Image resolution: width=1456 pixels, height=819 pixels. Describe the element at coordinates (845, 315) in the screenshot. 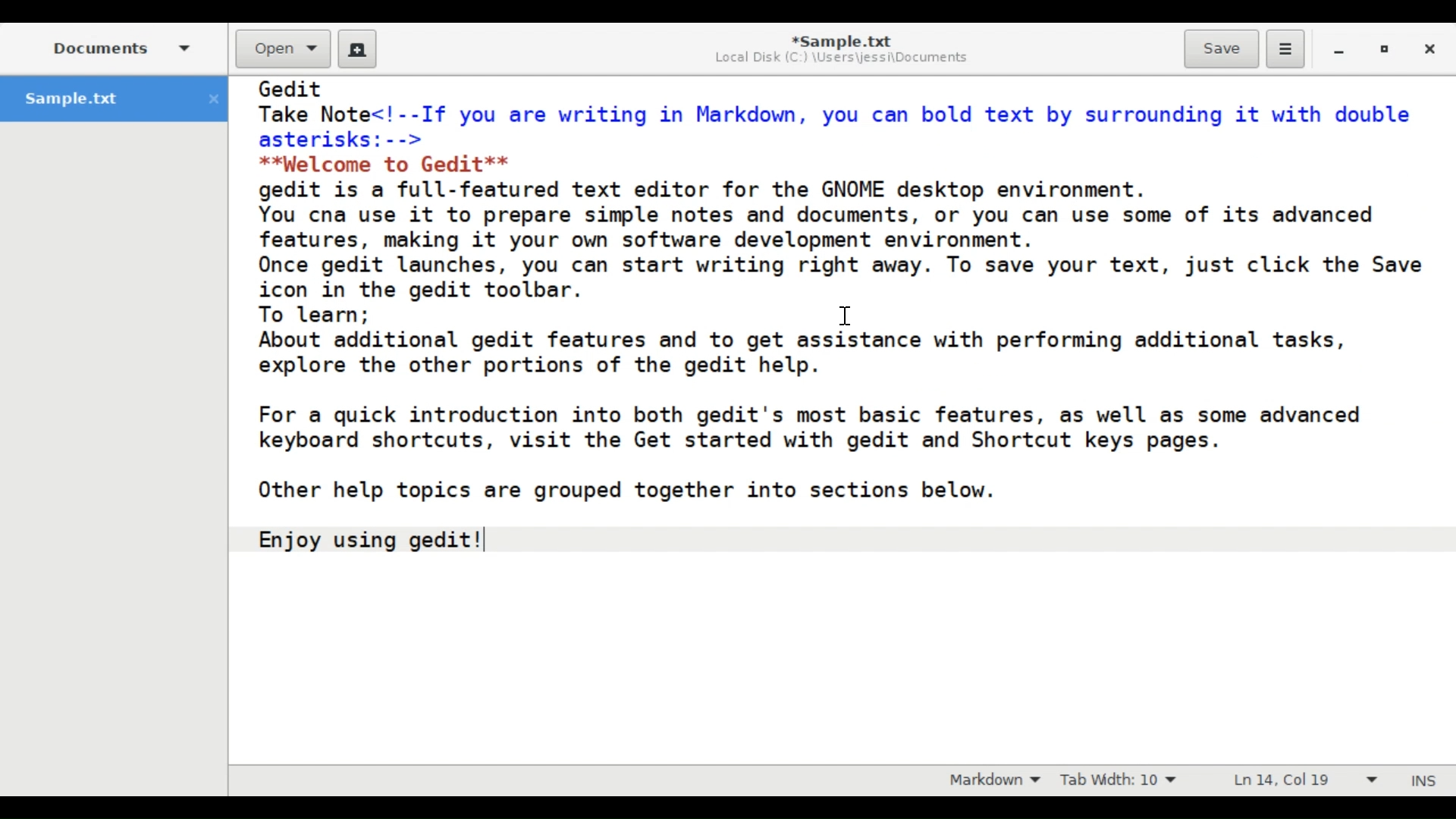

I see `Cursor` at that location.